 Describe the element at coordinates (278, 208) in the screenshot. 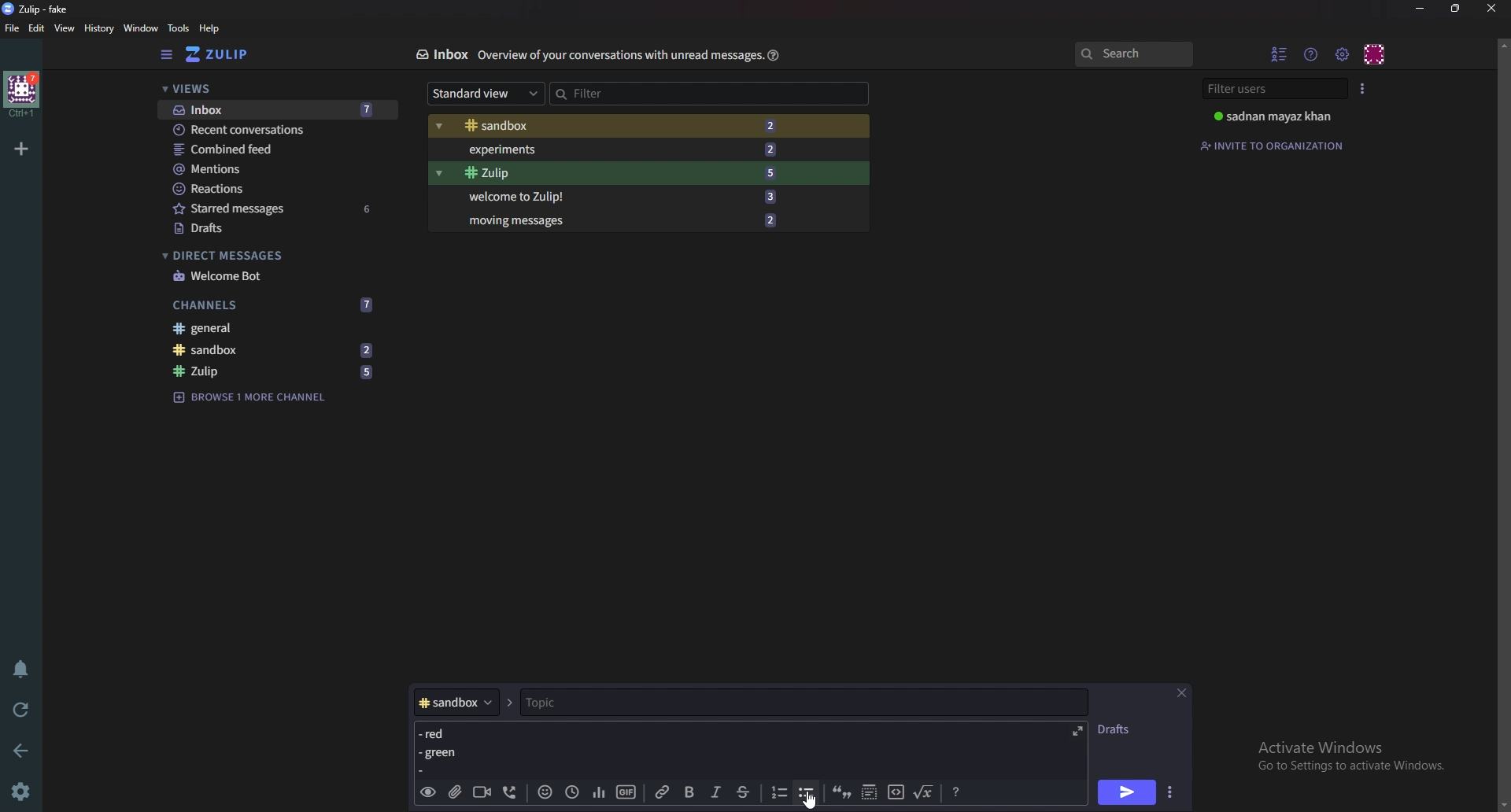

I see `Starred messages` at that location.